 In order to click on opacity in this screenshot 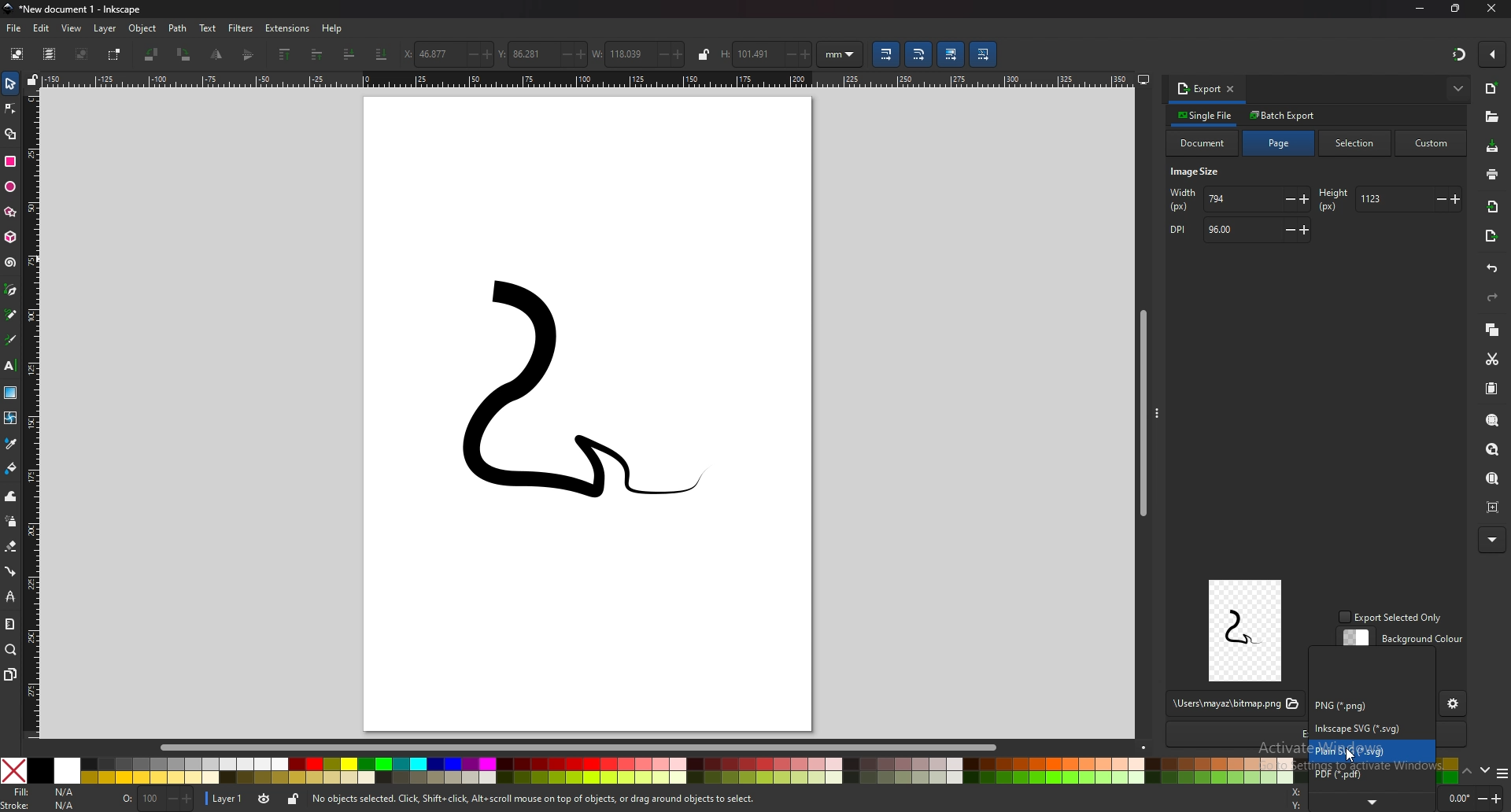, I will do `click(157, 799)`.